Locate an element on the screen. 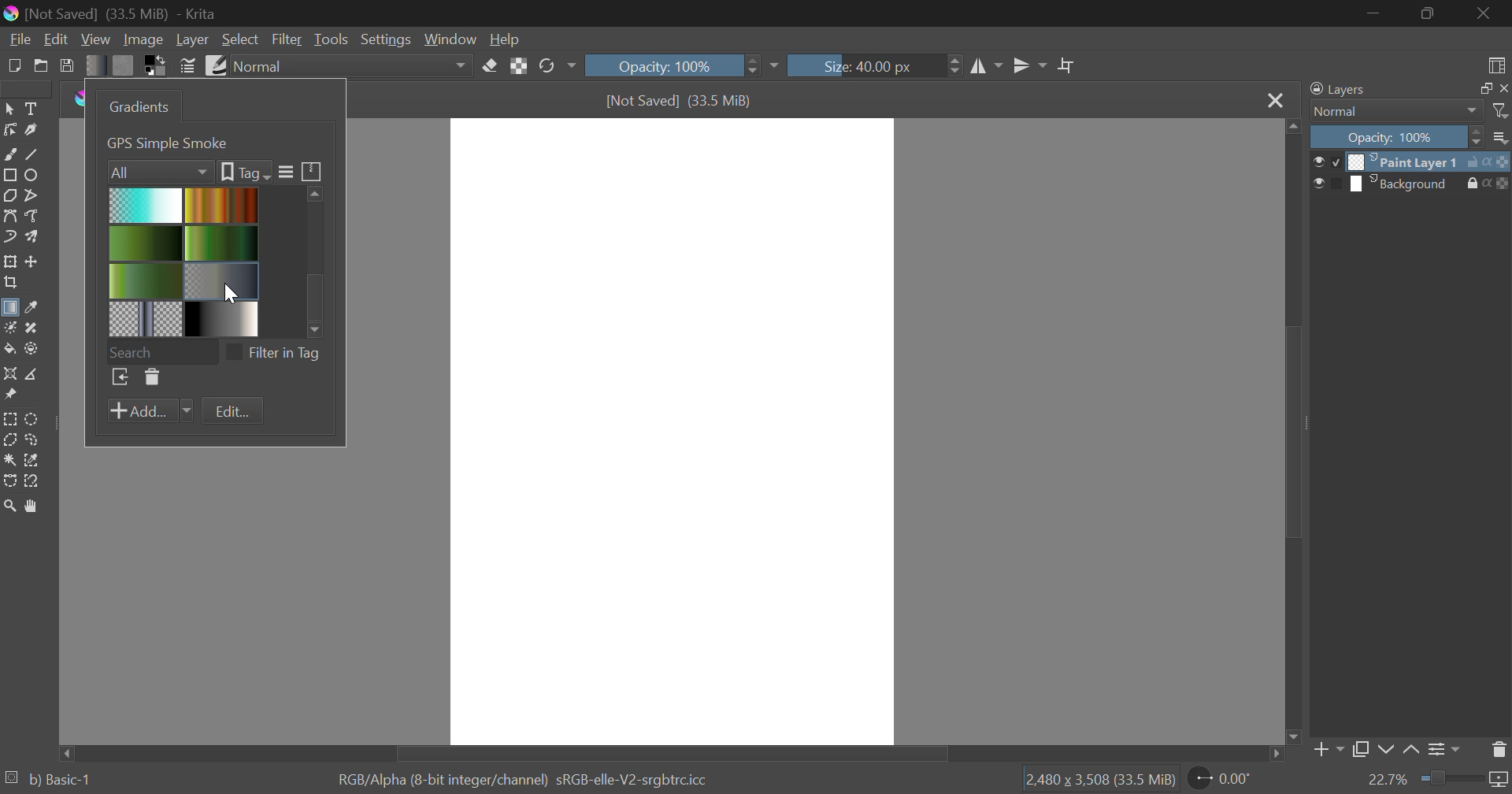 The height and width of the screenshot is (794, 1512). Pan is located at coordinates (30, 506).